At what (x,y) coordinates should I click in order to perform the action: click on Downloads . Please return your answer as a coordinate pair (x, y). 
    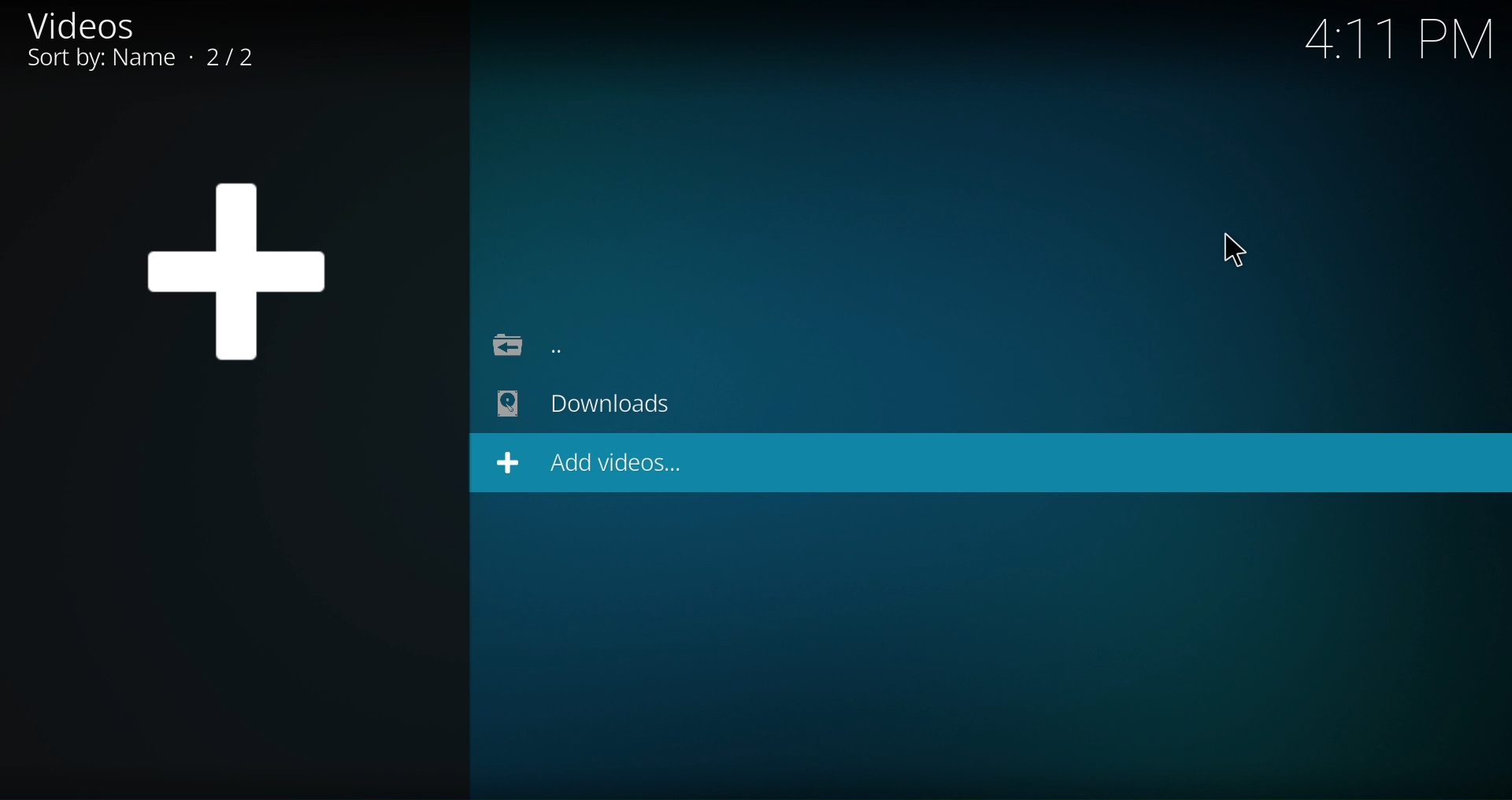
    Looking at the image, I should click on (595, 403).